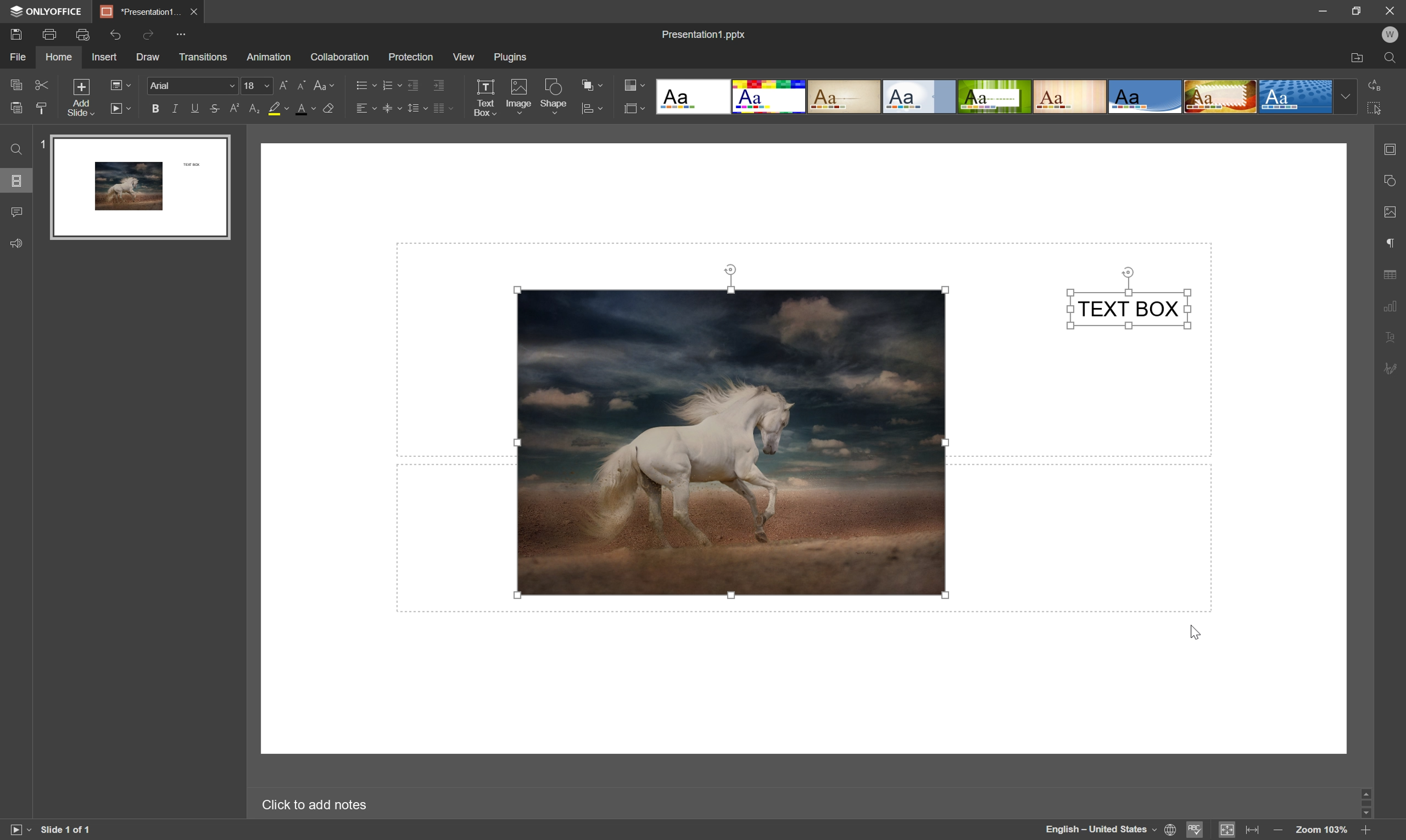  I want to click on Green Leaf, so click(995, 97).